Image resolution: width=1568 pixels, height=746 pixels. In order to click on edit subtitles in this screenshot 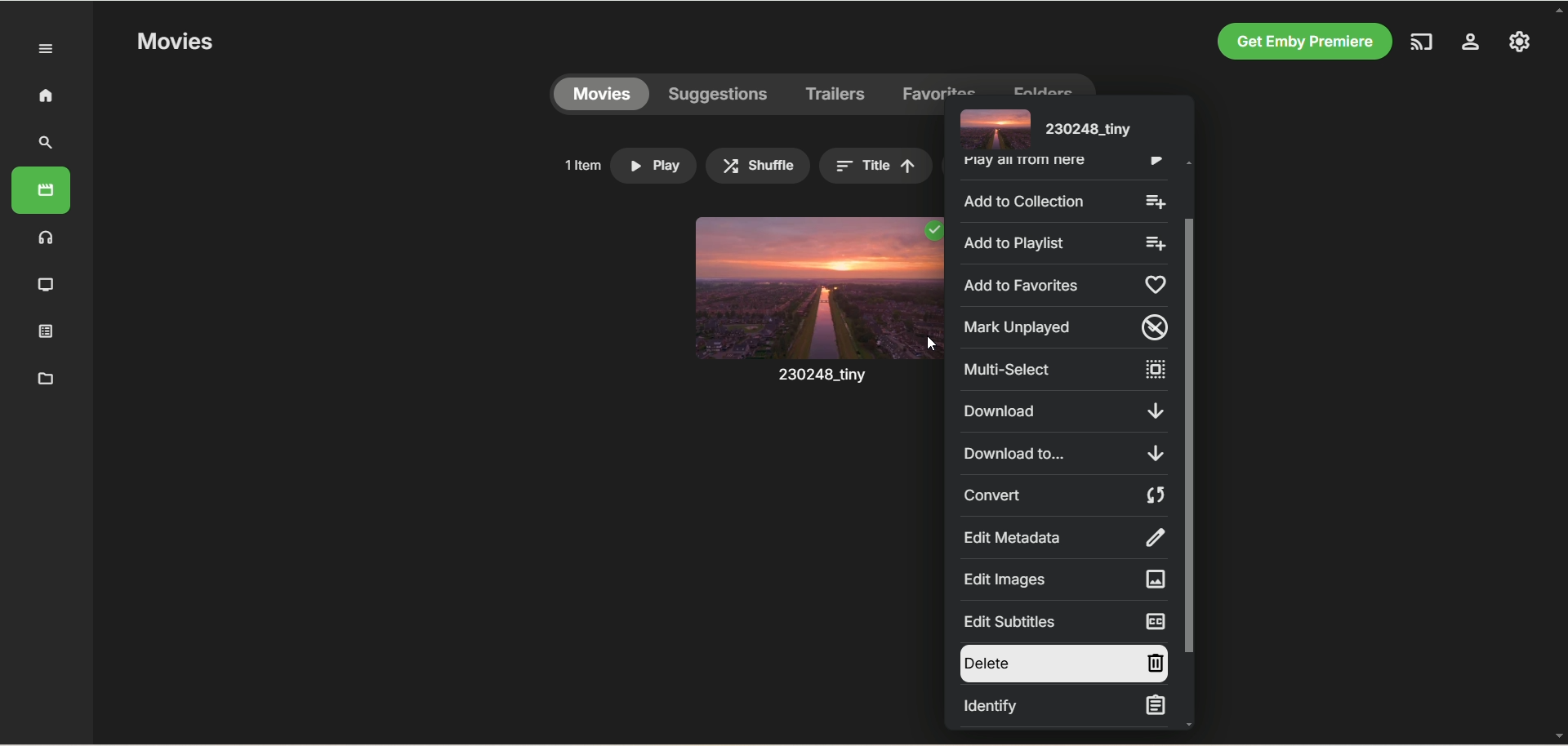, I will do `click(1062, 621)`.